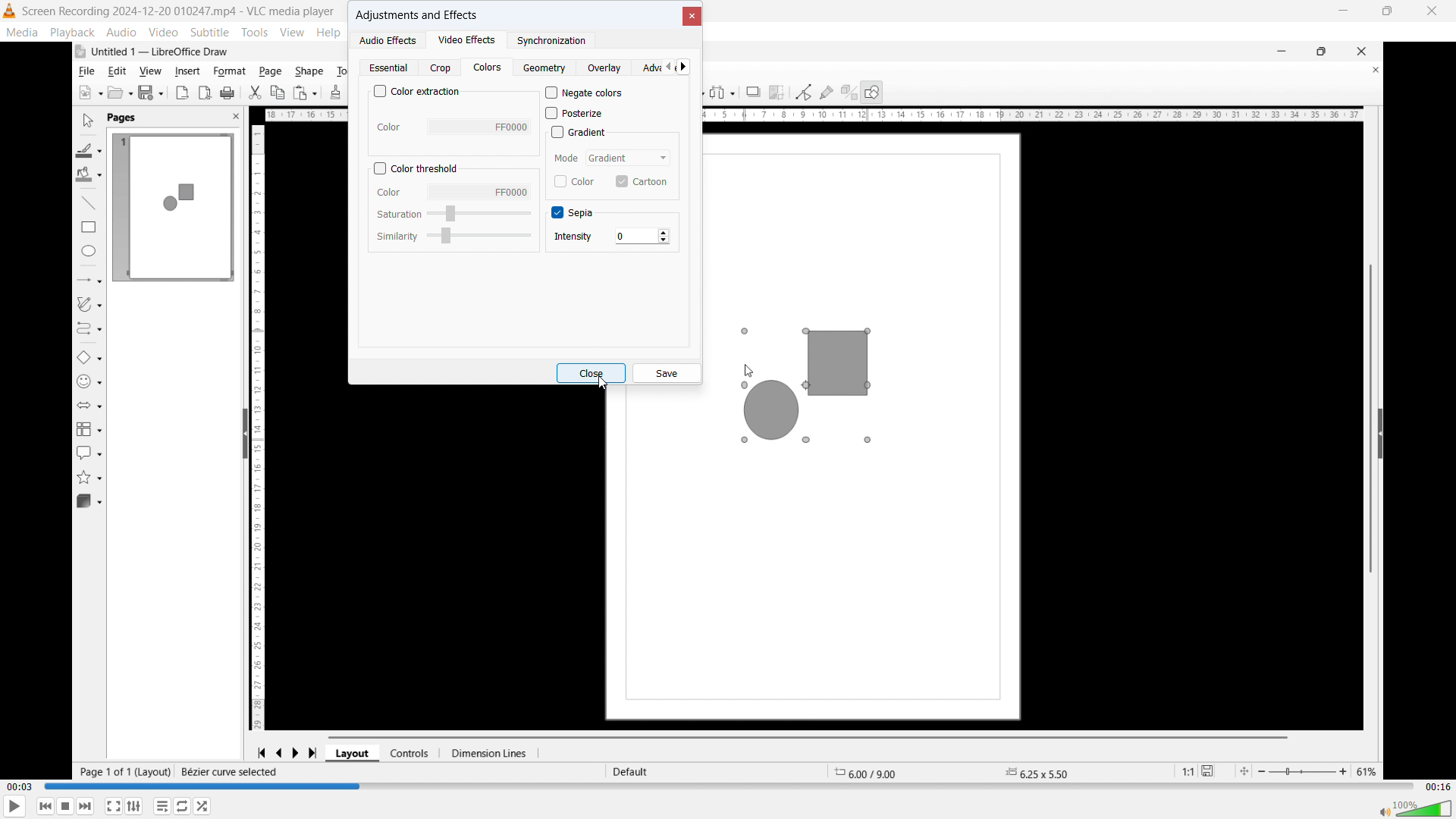  What do you see at coordinates (1342, 12) in the screenshot?
I see `minimize` at bounding box center [1342, 12].